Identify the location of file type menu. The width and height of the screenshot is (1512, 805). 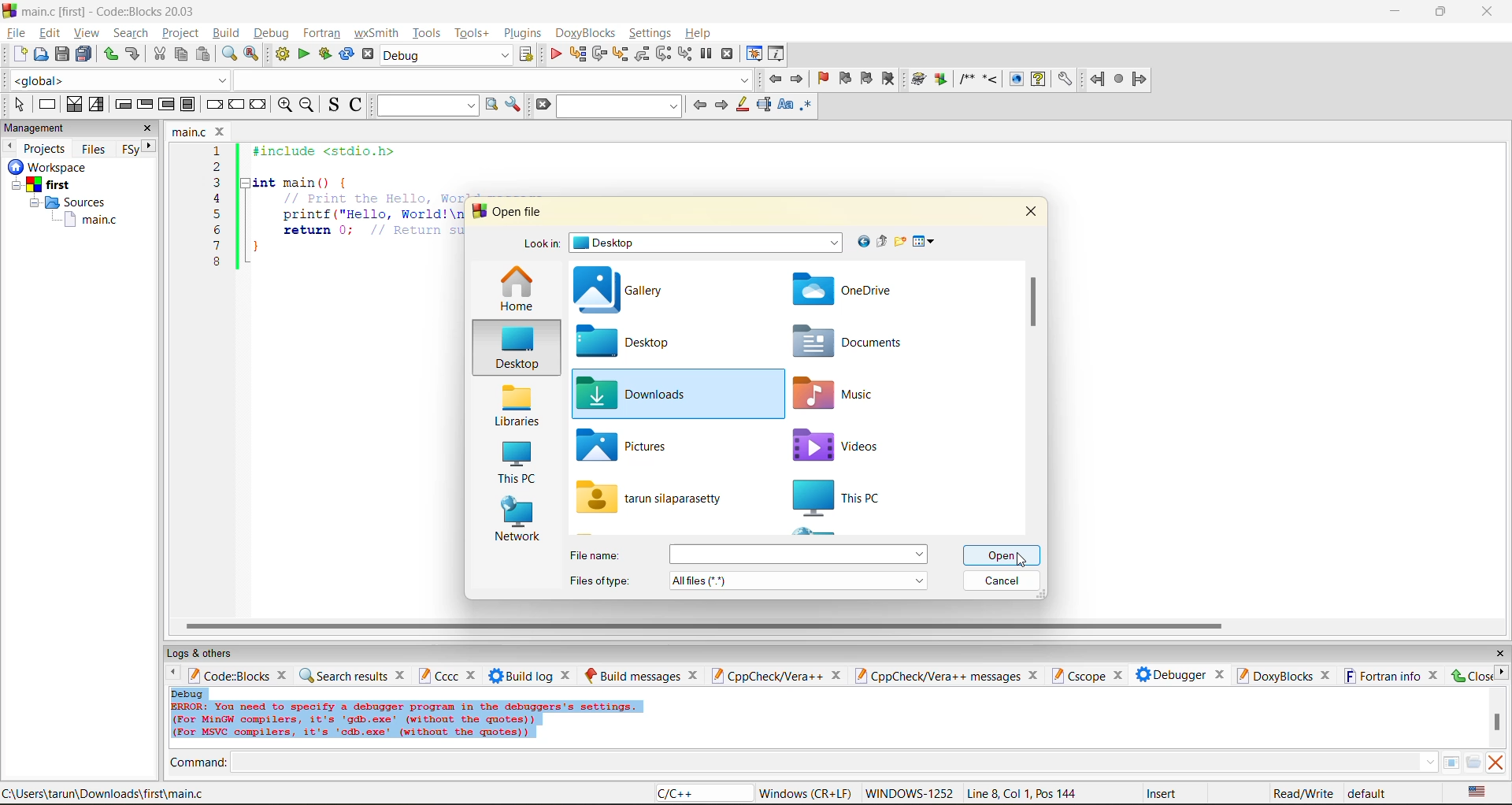
(799, 580).